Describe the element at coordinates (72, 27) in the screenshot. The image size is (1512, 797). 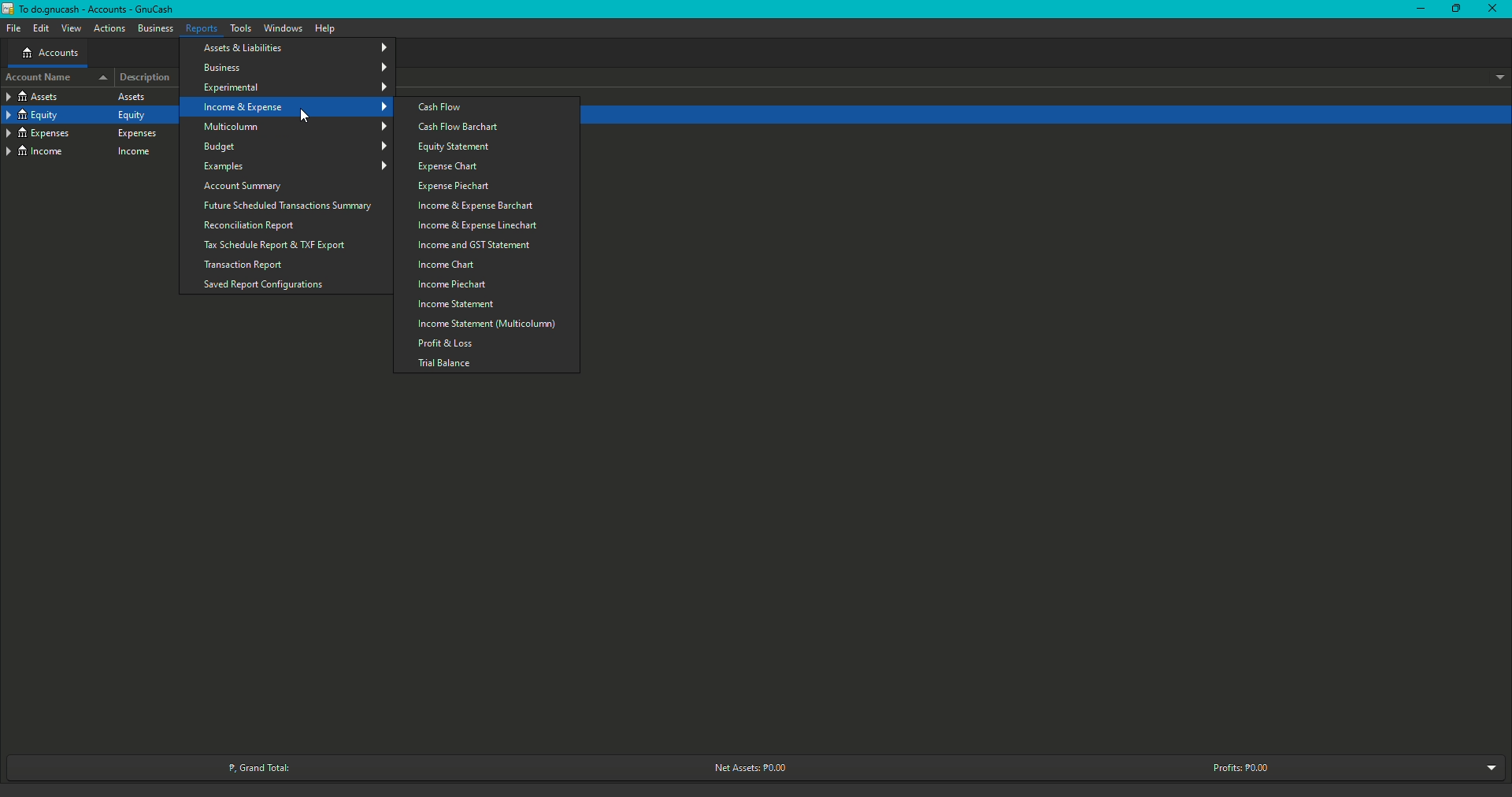
I see `View` at that location.